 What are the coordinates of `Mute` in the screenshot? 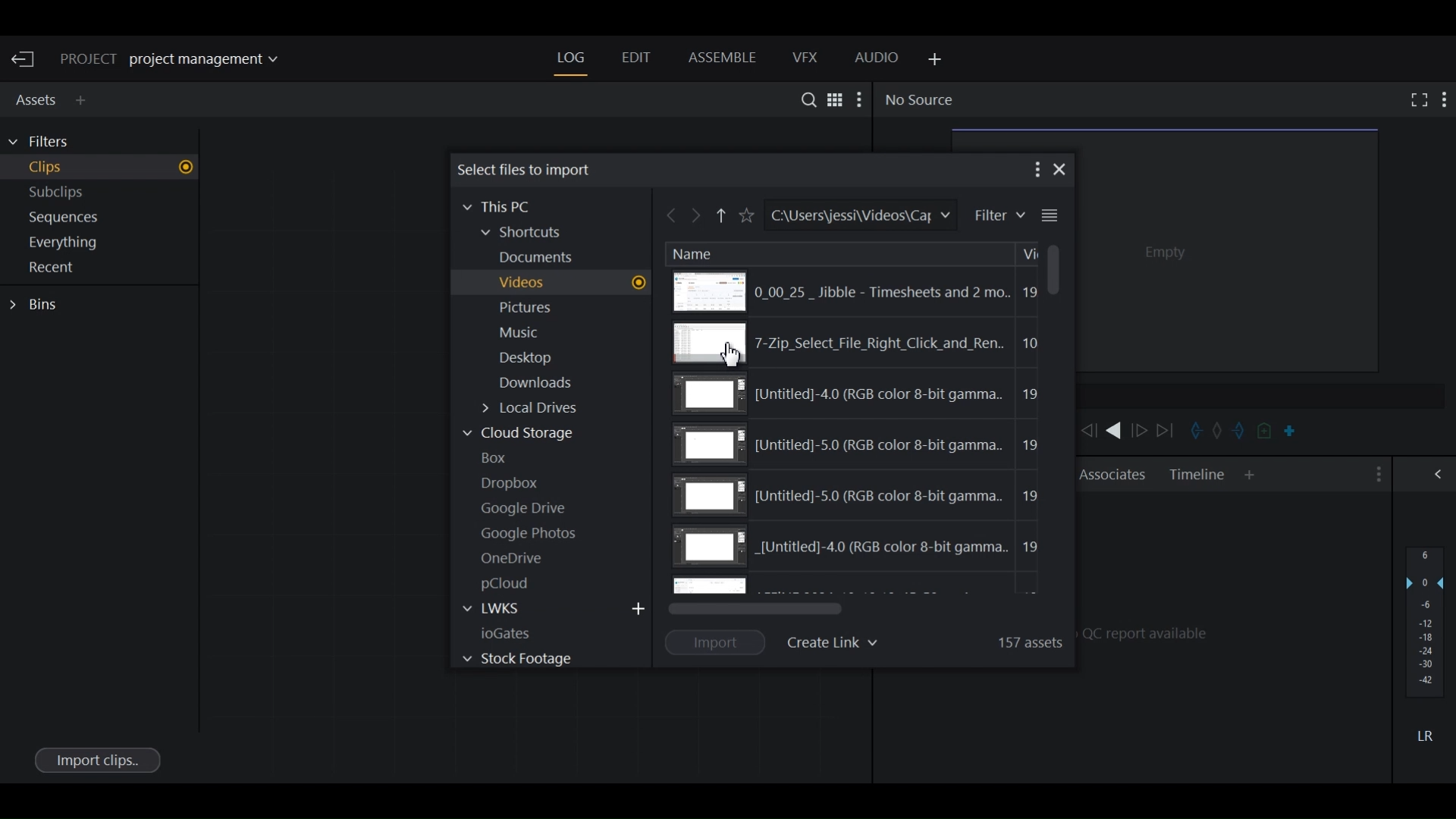 It's located at (1425, 735).